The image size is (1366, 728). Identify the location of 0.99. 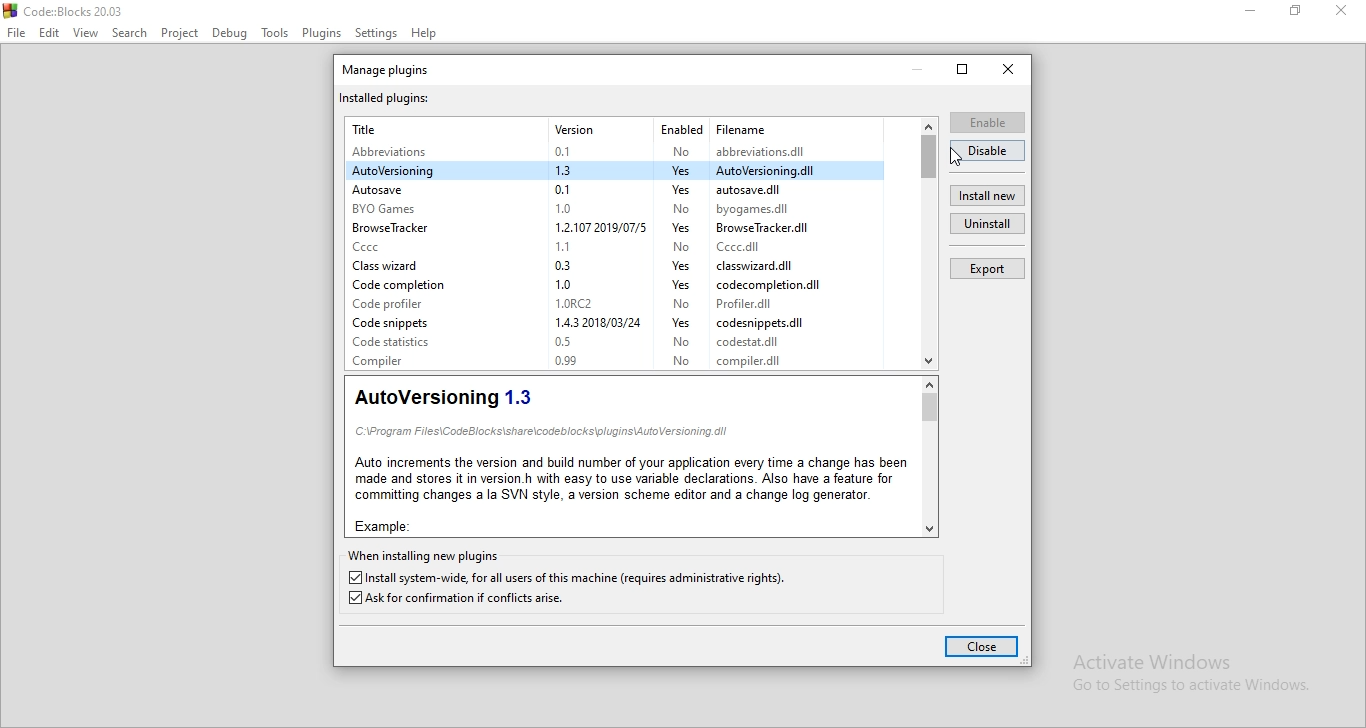
(568, 362).